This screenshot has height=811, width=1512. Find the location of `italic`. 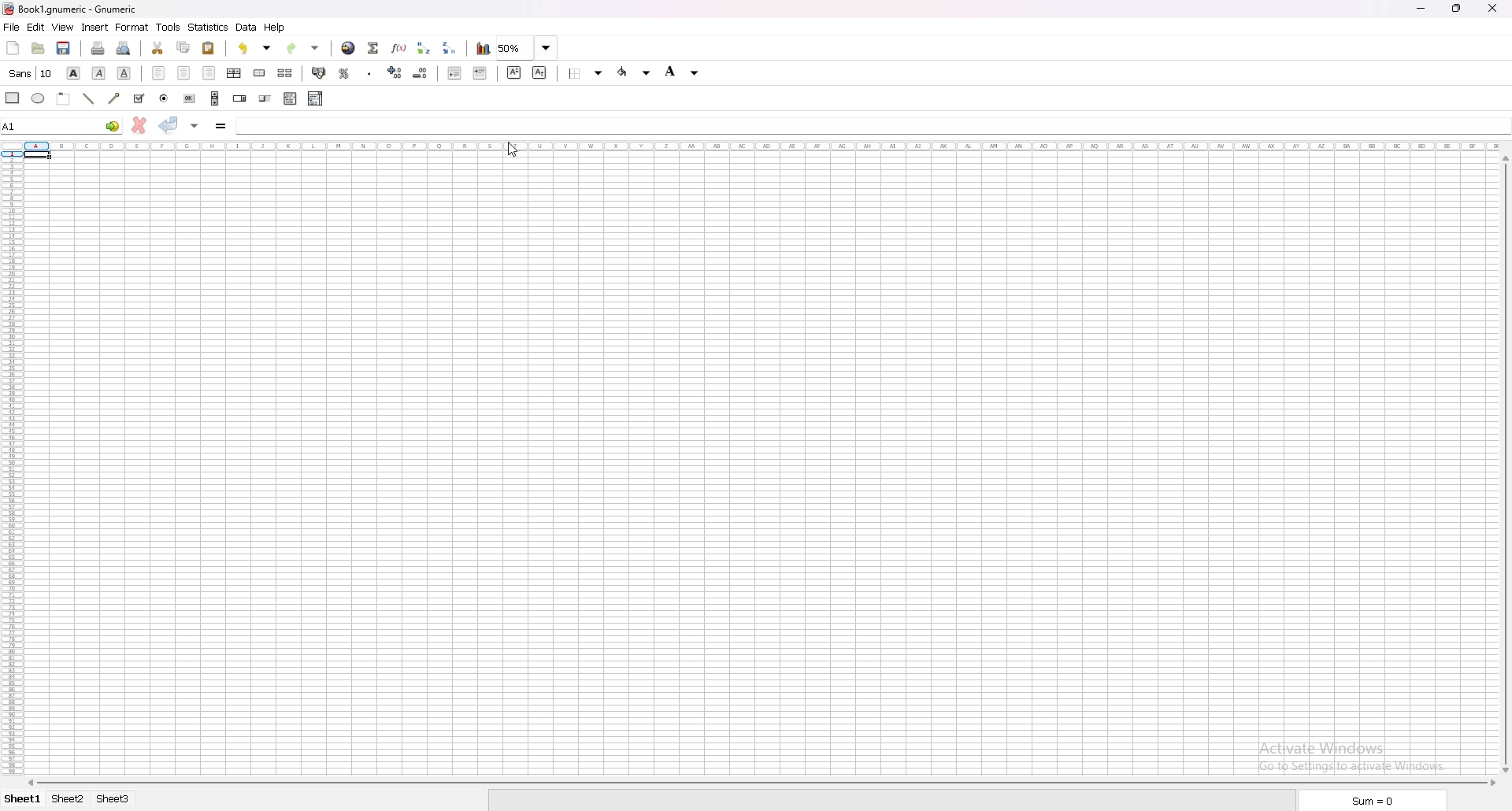

italic is located at coordinates (99, 73).